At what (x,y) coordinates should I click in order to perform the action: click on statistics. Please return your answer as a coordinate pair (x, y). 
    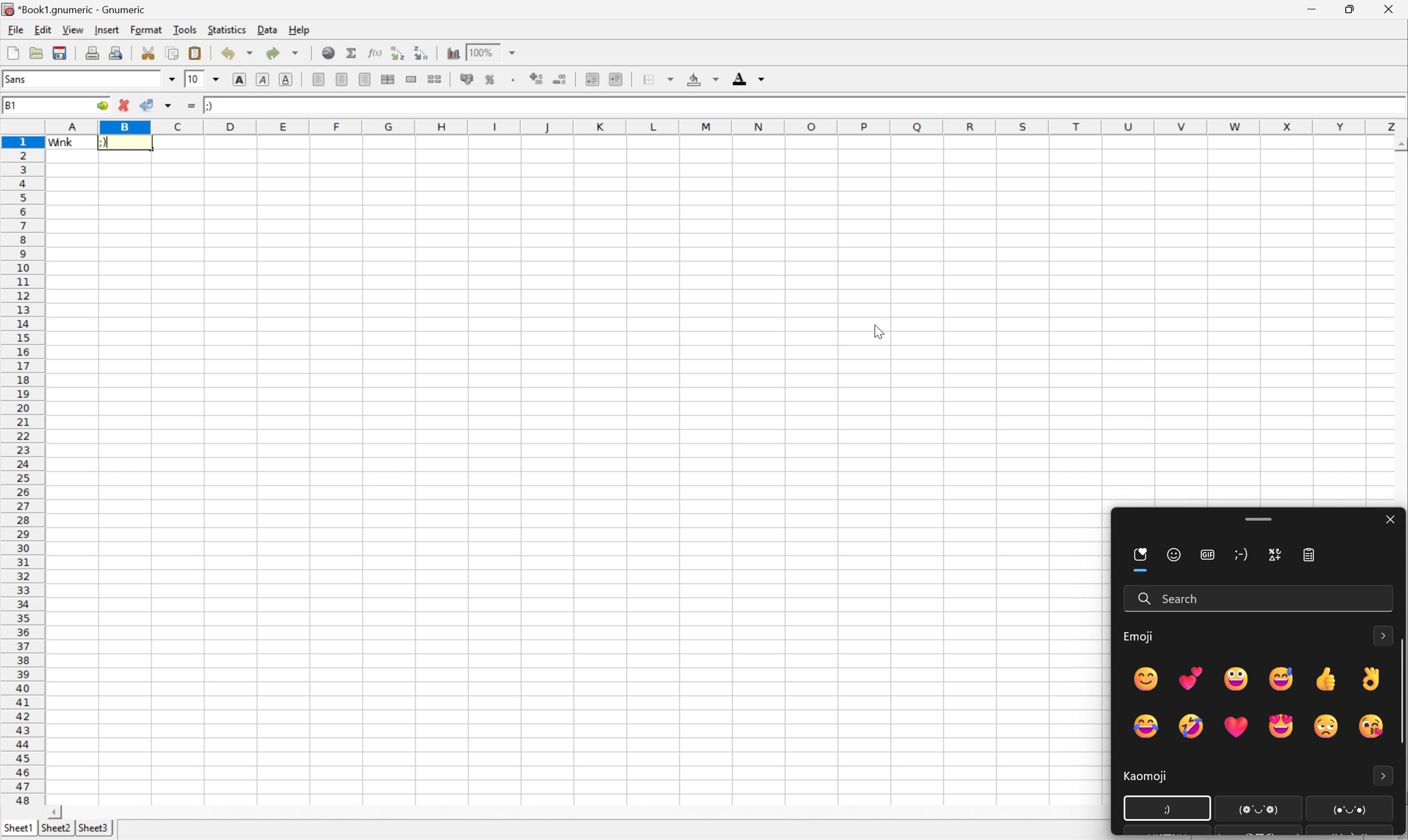
    Looking at the image, I should click on (225, 31).